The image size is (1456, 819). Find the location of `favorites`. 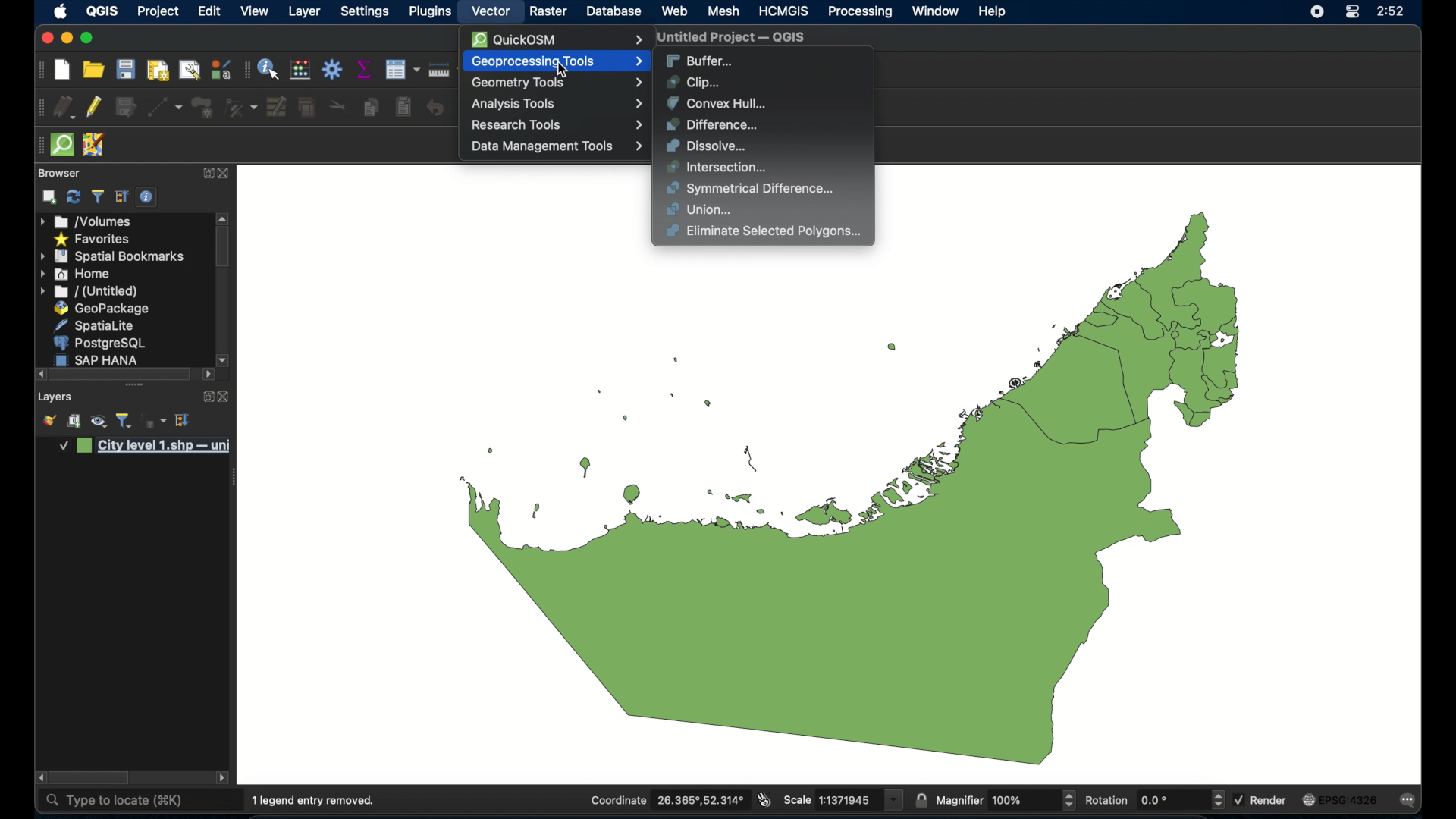

favorites is located at coordinates (93, 240).